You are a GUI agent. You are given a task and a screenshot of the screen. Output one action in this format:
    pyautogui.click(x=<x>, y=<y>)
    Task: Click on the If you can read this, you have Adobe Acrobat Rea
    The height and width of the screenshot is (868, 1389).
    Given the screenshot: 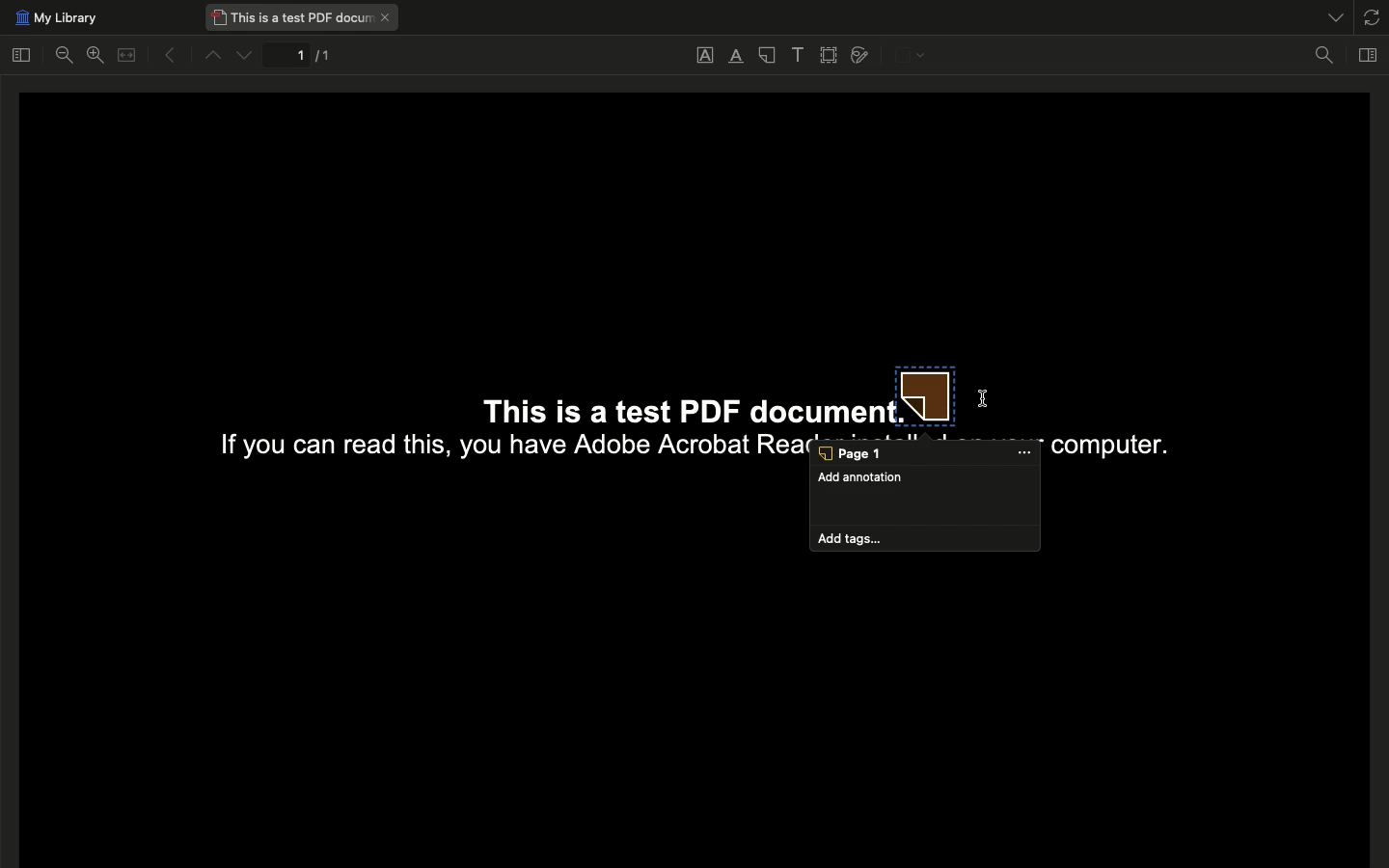 What is the action you would take?
    pyautogui.click(x=502, y=448)
    